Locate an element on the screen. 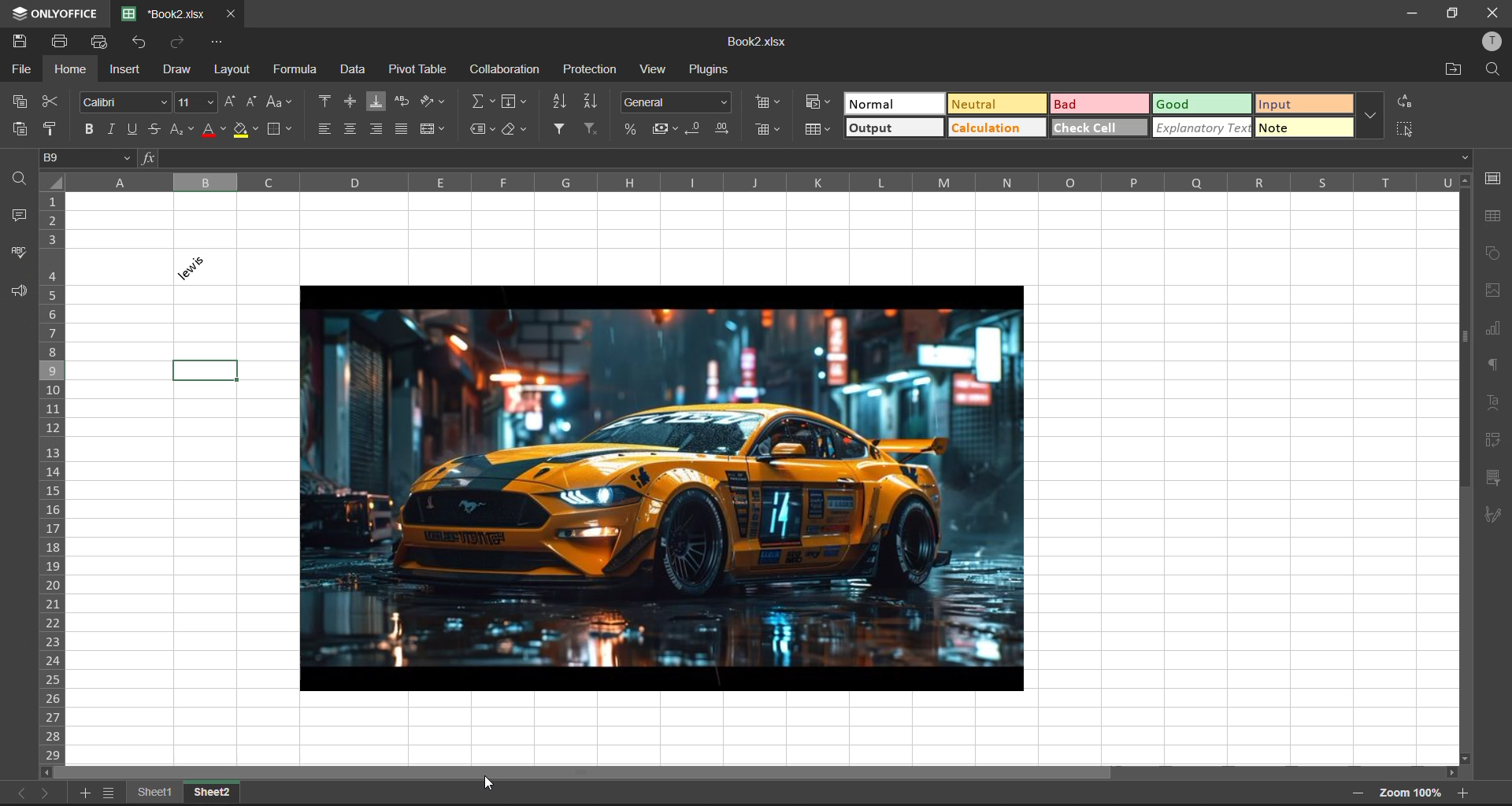 The height and width of the screenshot is (806, 1512). images is located at coordinates (1488, 290).